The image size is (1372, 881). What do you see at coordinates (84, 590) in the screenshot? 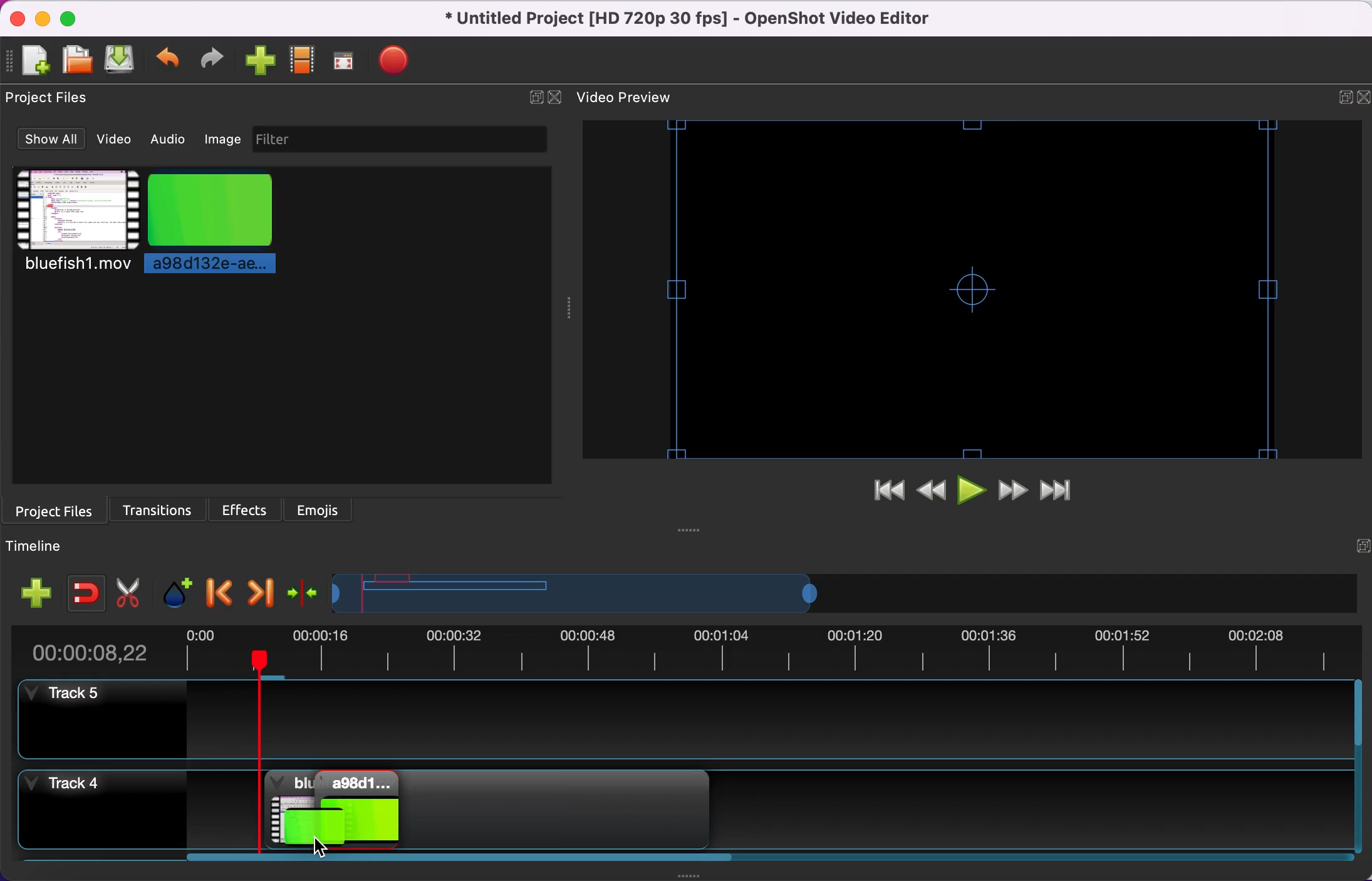
I see `enable snapping` at bounding box center [84, 590].